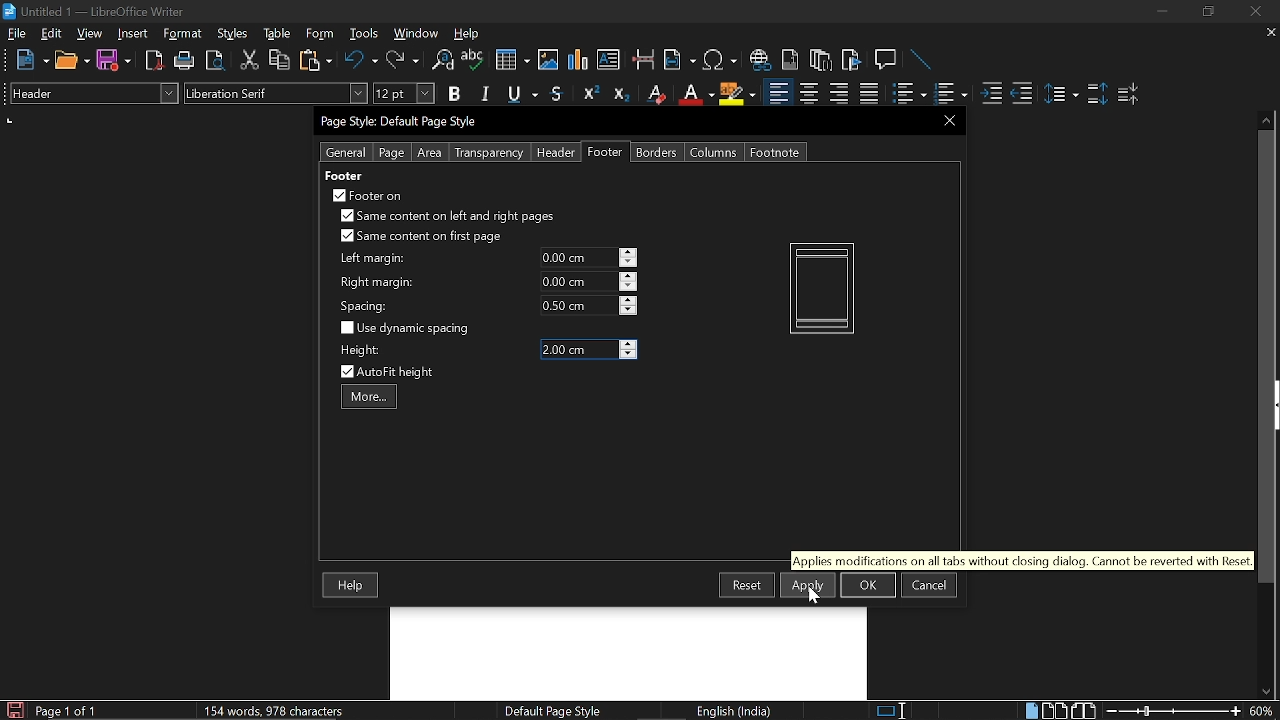 Image resolution: width=1280 pixels, height=720 pixels. Describe the element at coordinates (808, 585) in the screenshot. I see `Apply` at that location.